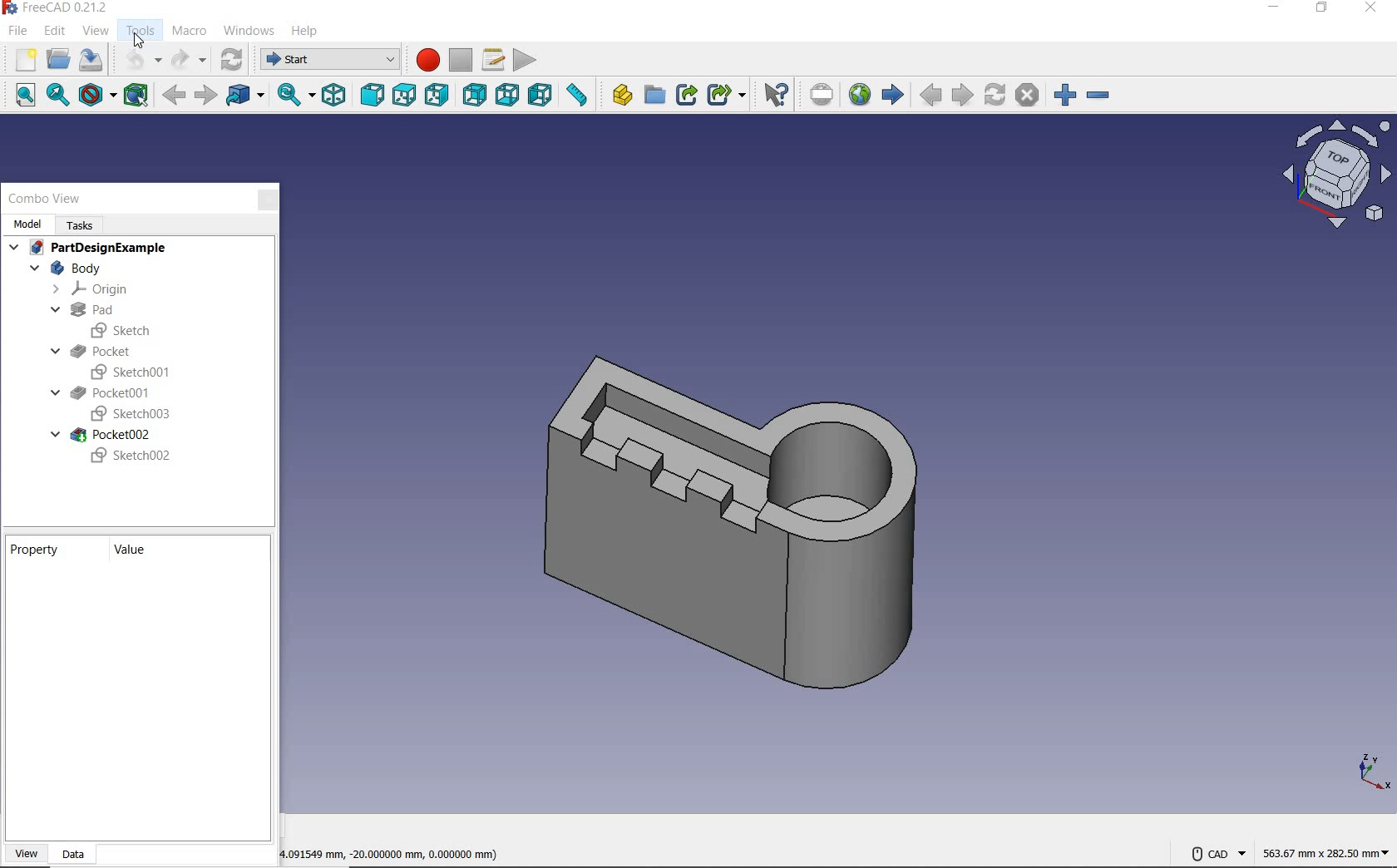  I want to click on Close, so click(269, 199).